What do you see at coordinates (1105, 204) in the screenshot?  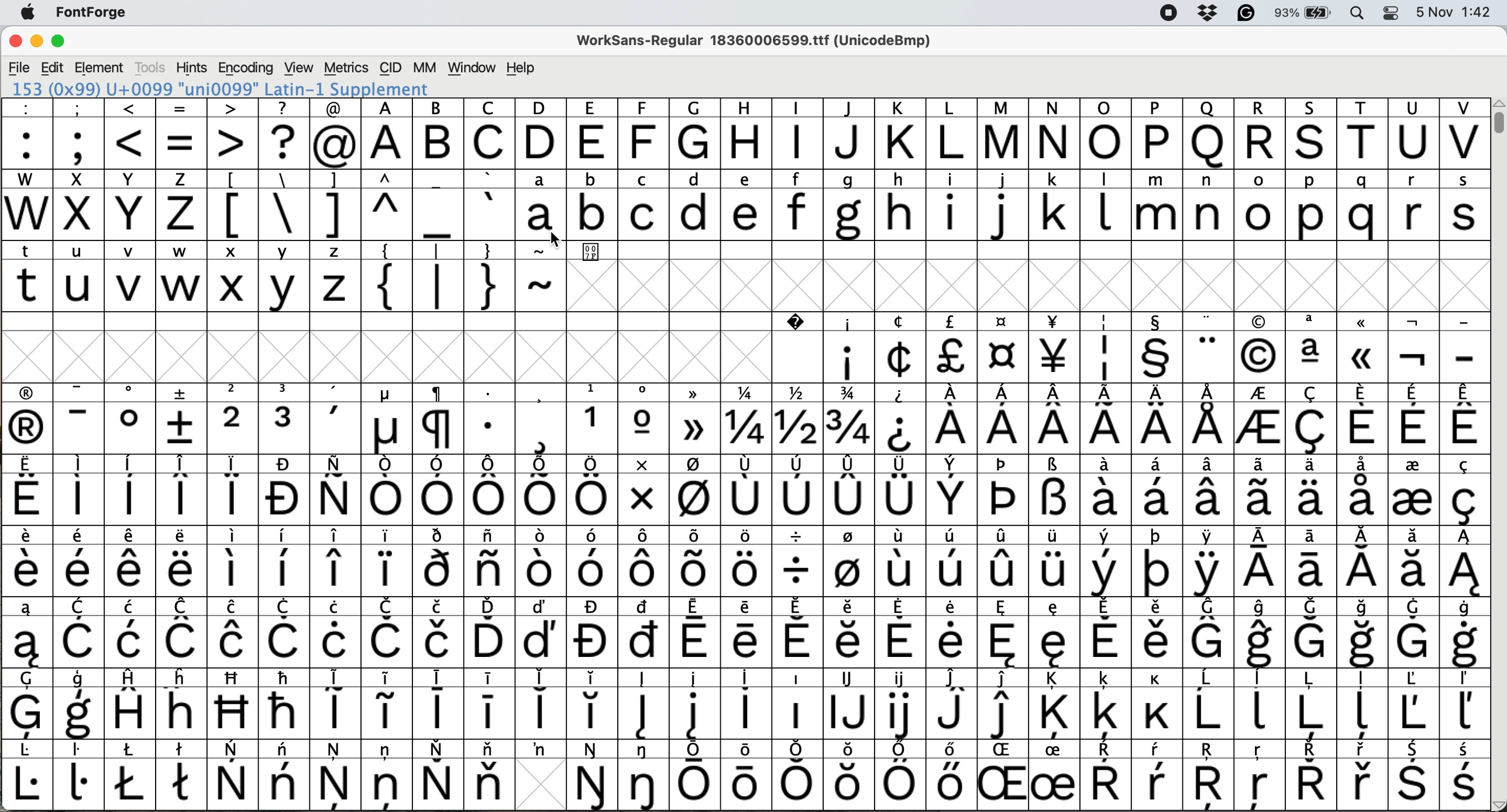 I see `l` at bounding box center [1105, 204].